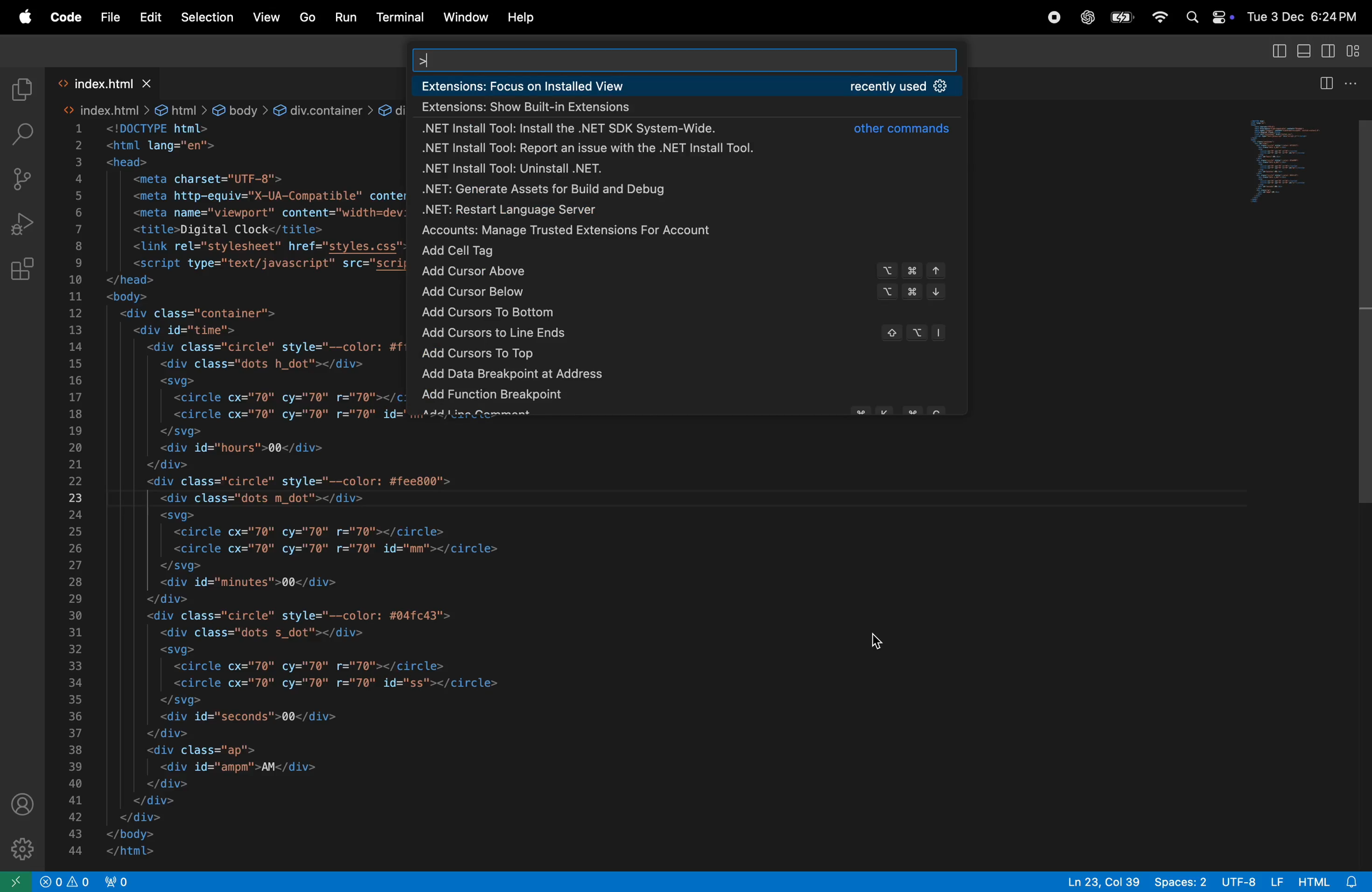 Image resolution: width=1372 pixels, height=892 pixels. What do you see at coordinates (1206, 16) in the screenshot?
I see `apple widgets` at bounding box center [1206, 16].